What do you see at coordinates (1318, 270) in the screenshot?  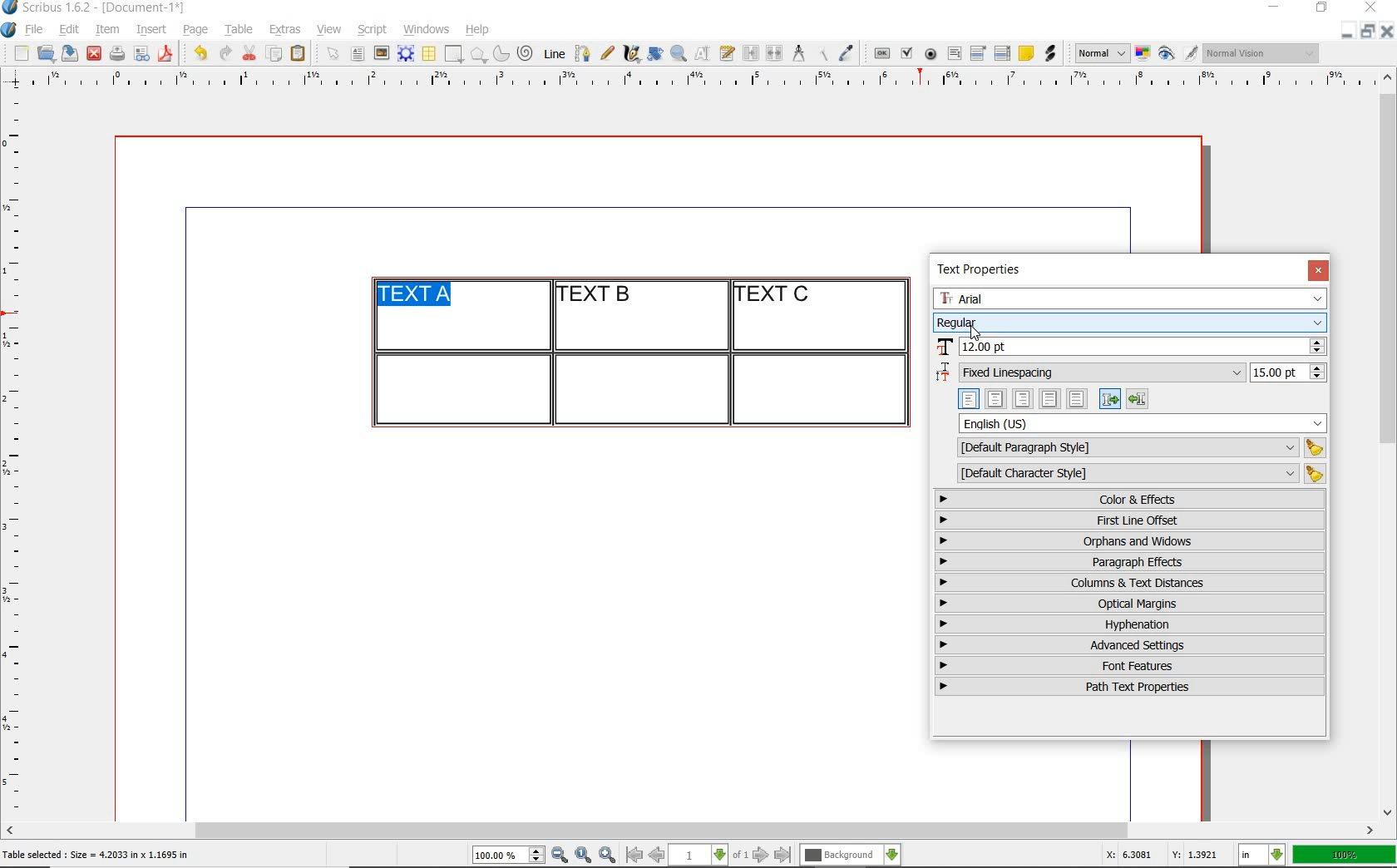 I see `close` at bounding box center [1318, 270].